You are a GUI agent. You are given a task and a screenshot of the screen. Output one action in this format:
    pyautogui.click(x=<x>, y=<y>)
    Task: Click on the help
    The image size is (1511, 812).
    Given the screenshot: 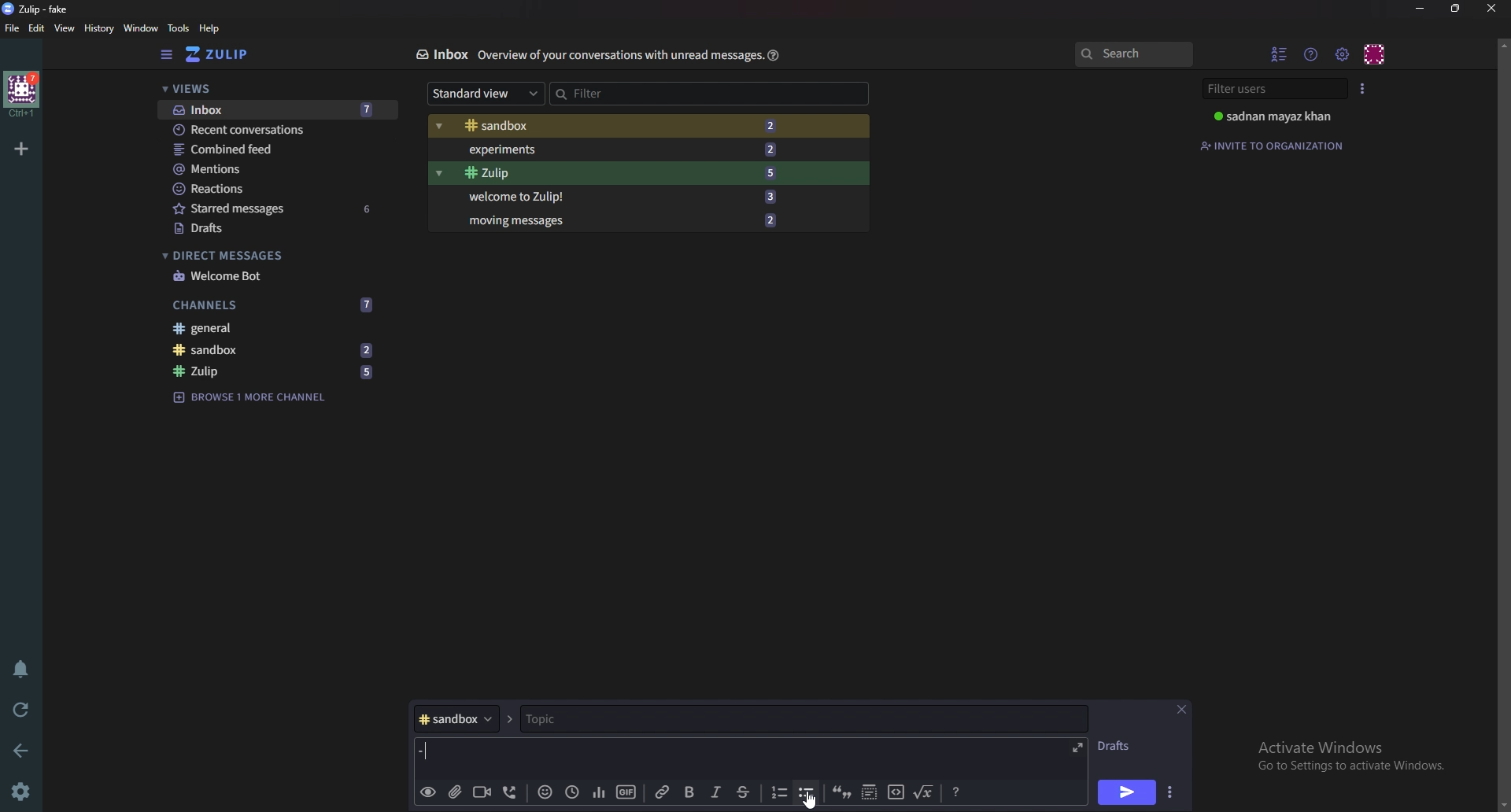 What is the action you would take?
    pyautogui.click(x=210, y=28)
    